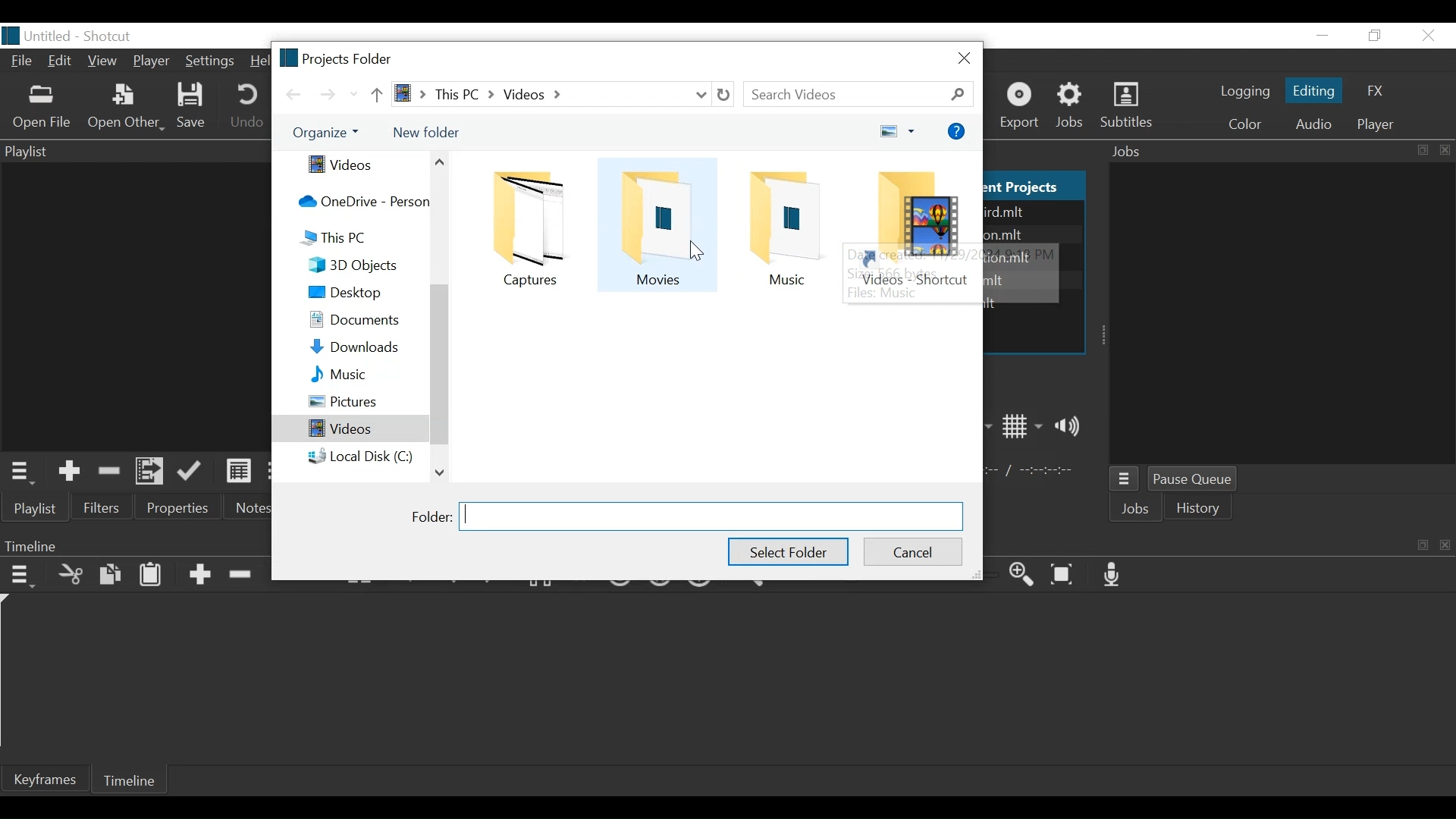  I want to click on Local Disk (C:), so click(360, 454).